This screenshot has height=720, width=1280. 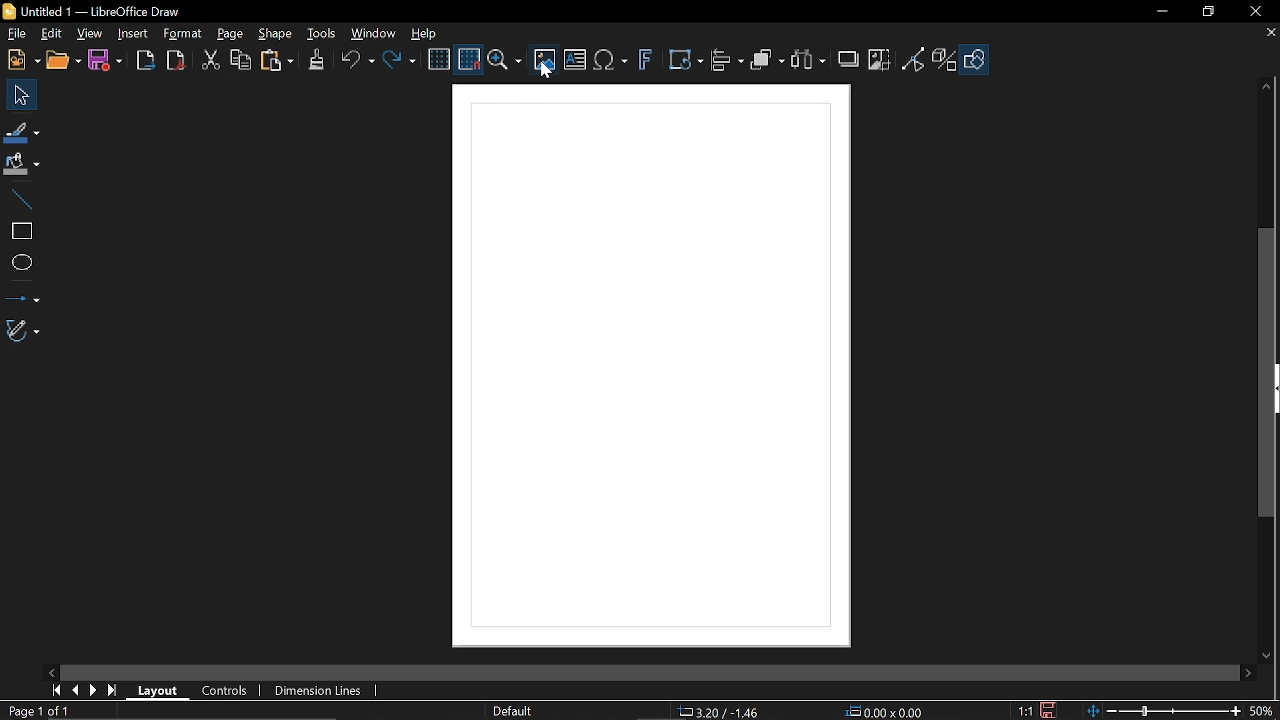 I want to click on Help, so click(x=430, y=35).